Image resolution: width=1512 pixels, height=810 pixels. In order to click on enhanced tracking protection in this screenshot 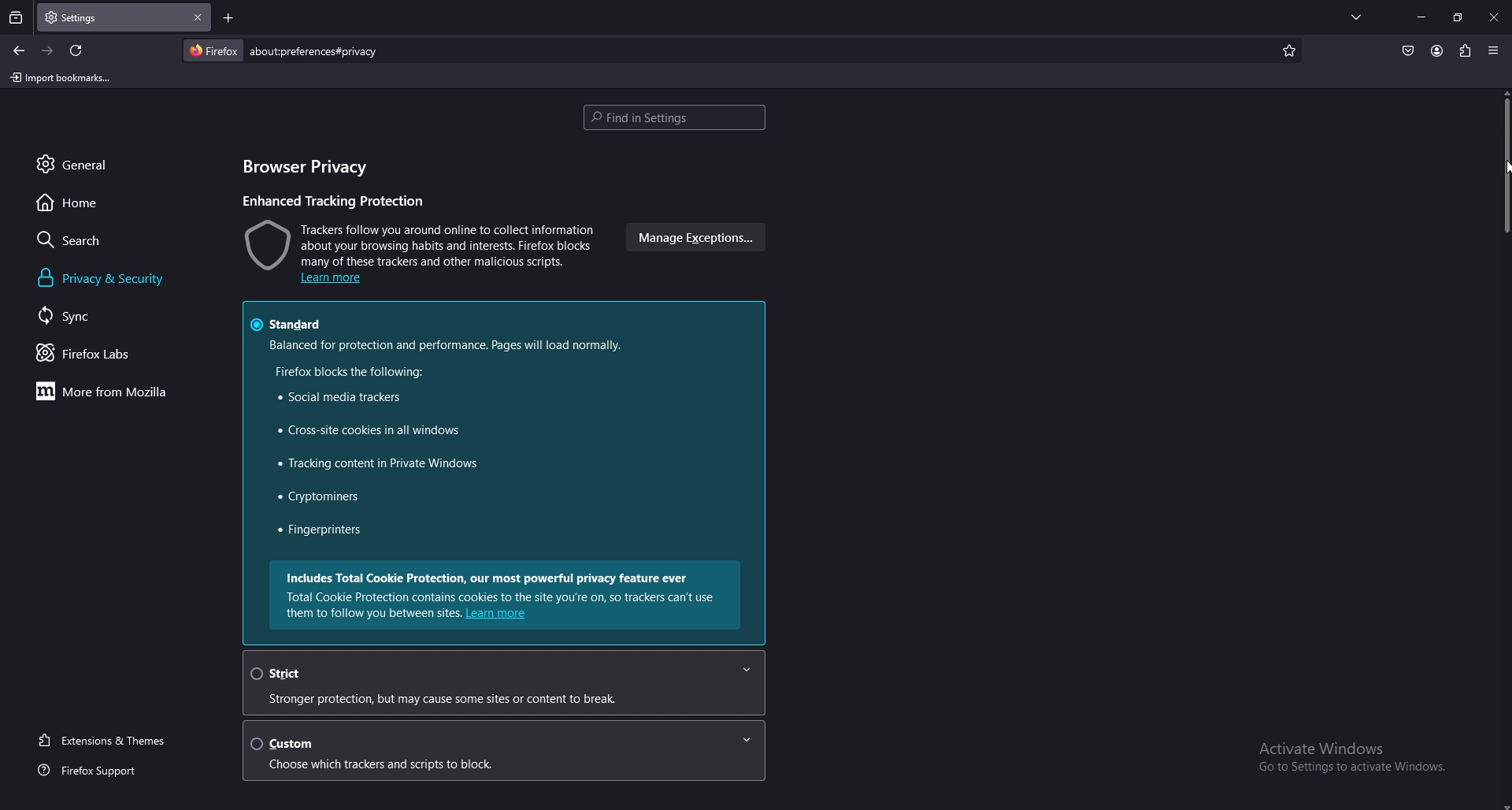, I will do `click(333, 199)`.